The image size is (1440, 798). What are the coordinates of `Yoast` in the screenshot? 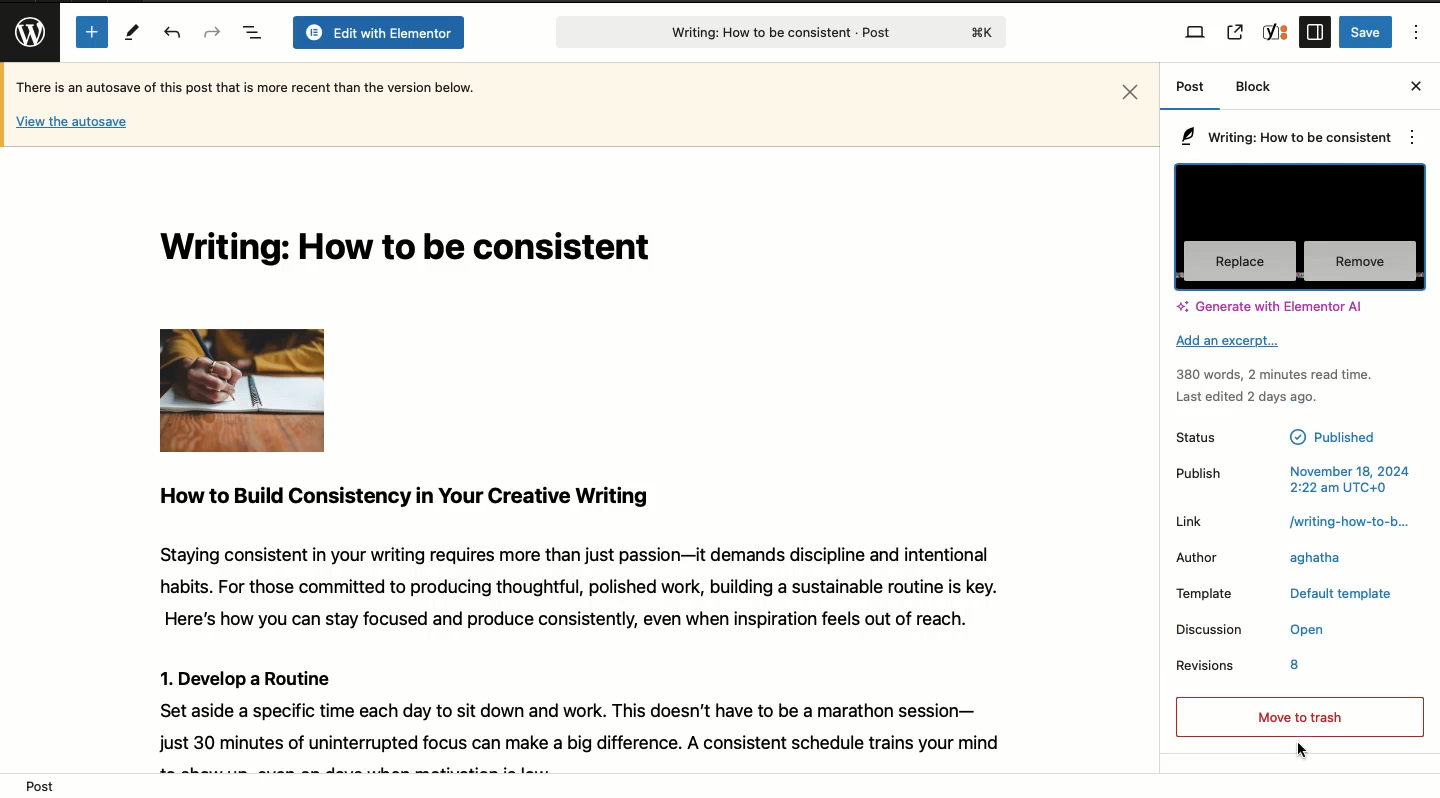 It's located at (1276, 32).